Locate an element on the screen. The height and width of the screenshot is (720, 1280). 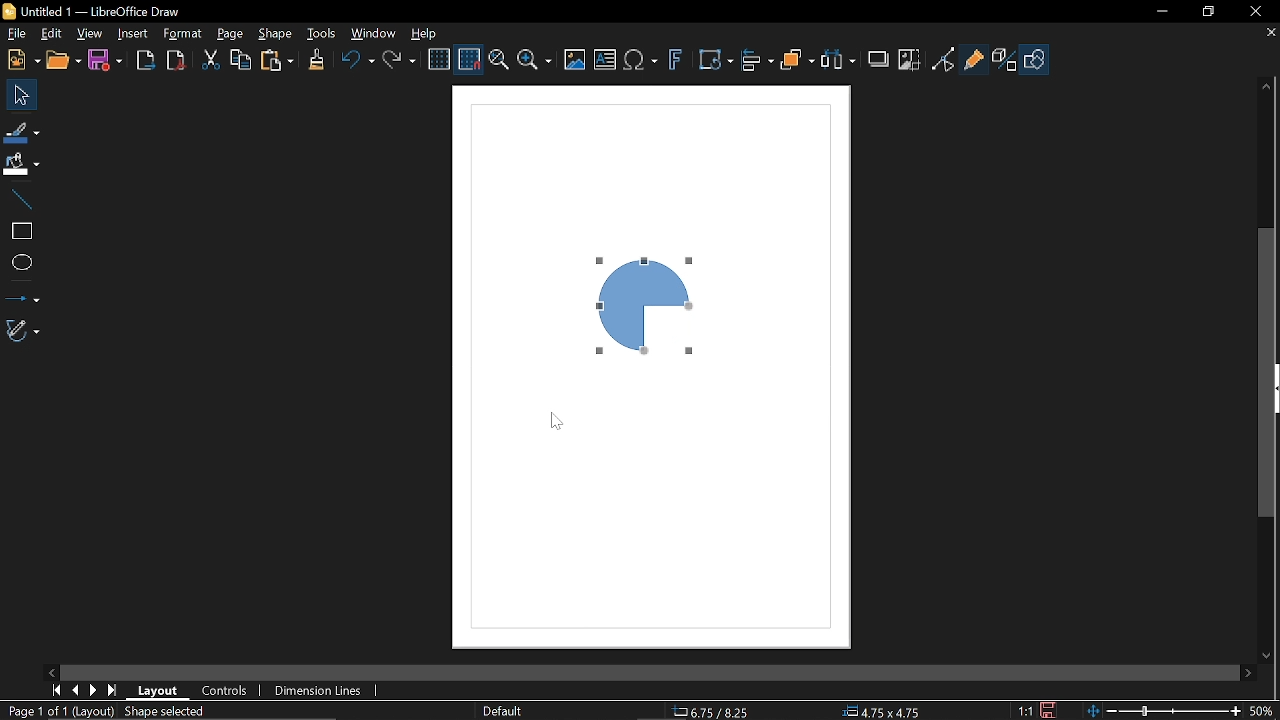
Layout is located at coordinates (160, 690).